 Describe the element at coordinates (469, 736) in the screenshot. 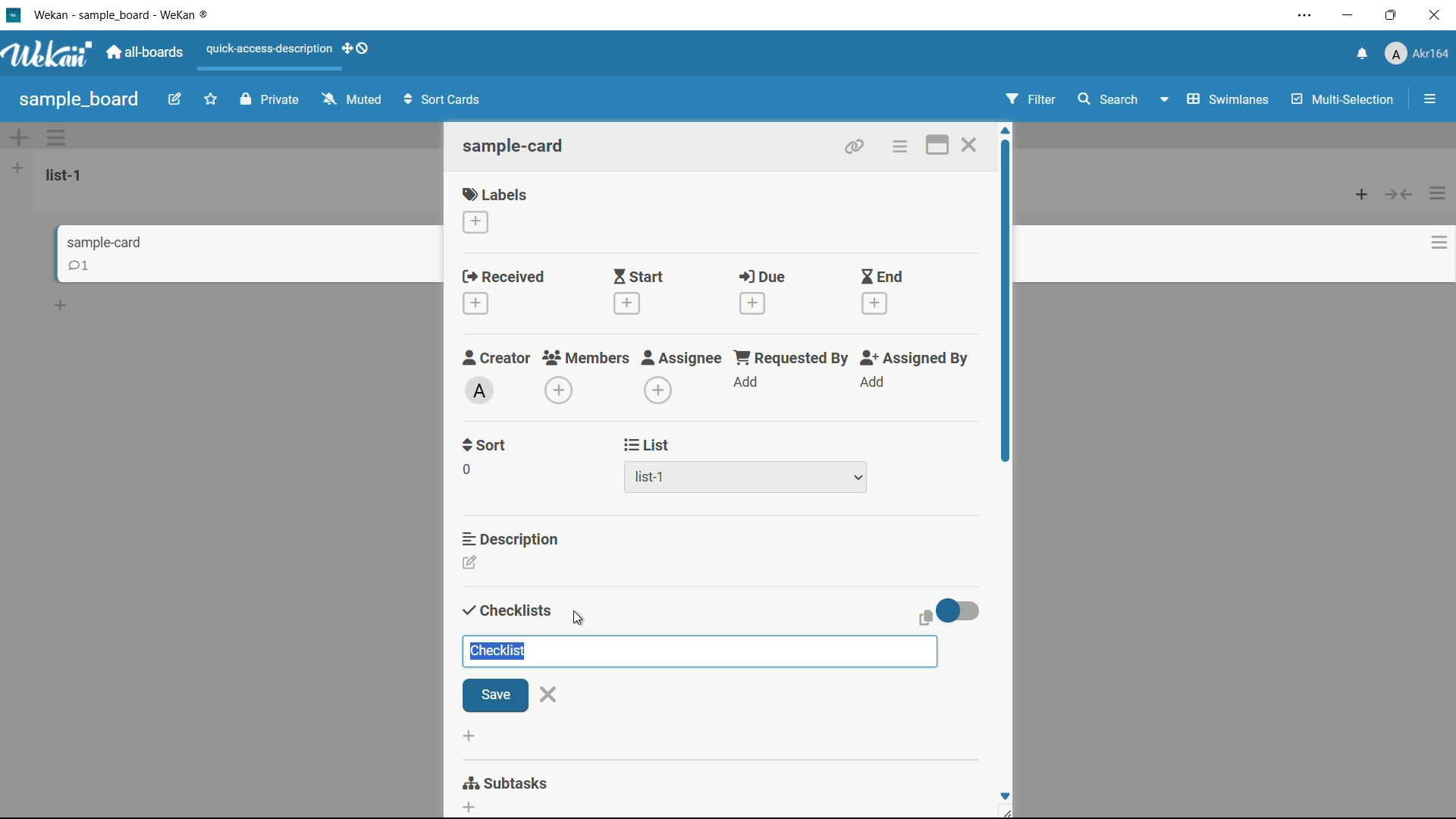

I see `add list` at that location.